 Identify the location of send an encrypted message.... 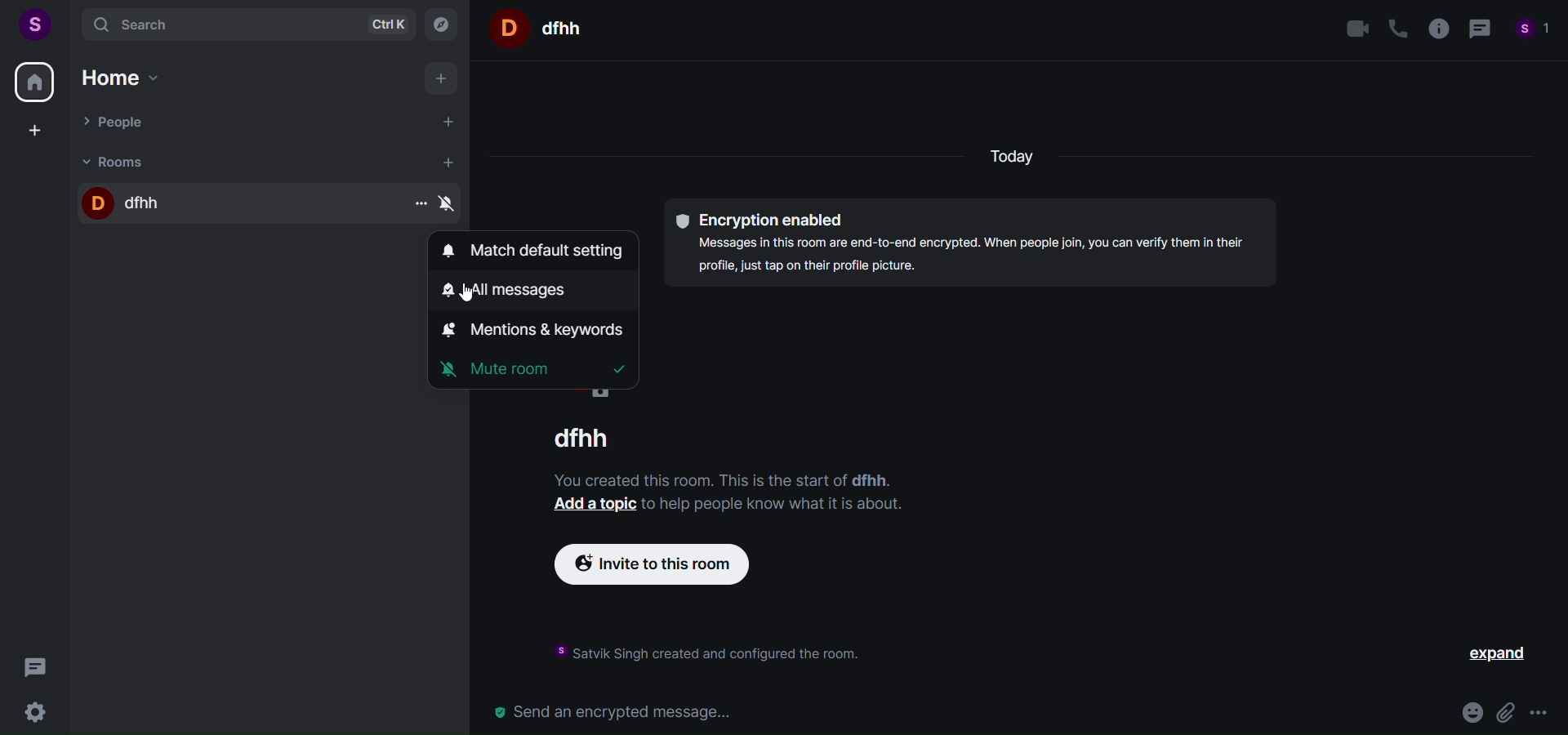
(962, 711).